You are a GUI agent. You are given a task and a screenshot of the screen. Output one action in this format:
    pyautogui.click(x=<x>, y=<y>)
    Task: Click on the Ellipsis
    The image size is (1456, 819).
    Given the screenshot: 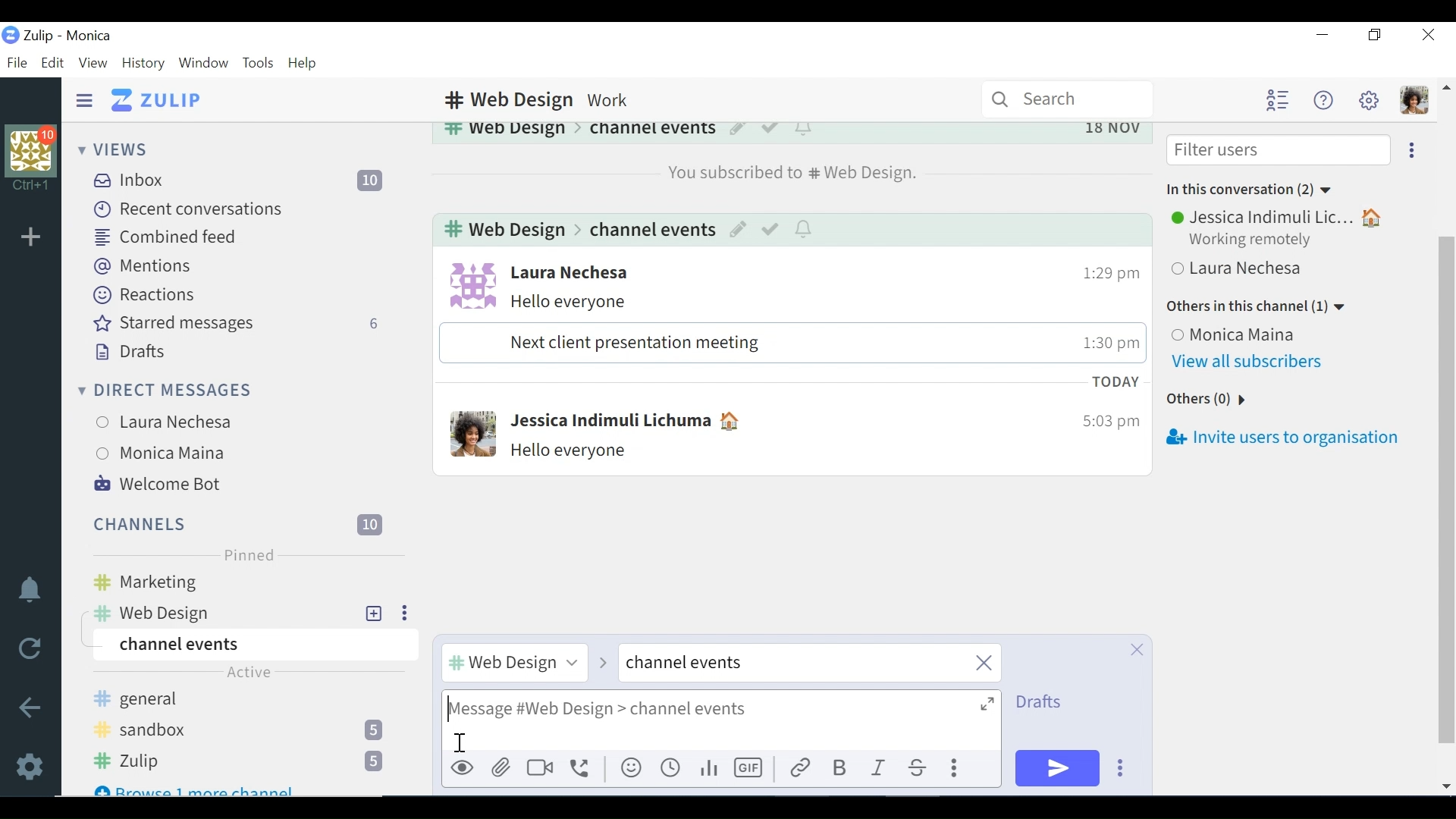 What is the action you would take?
    pyautogui.click(x=402, y=613)
    